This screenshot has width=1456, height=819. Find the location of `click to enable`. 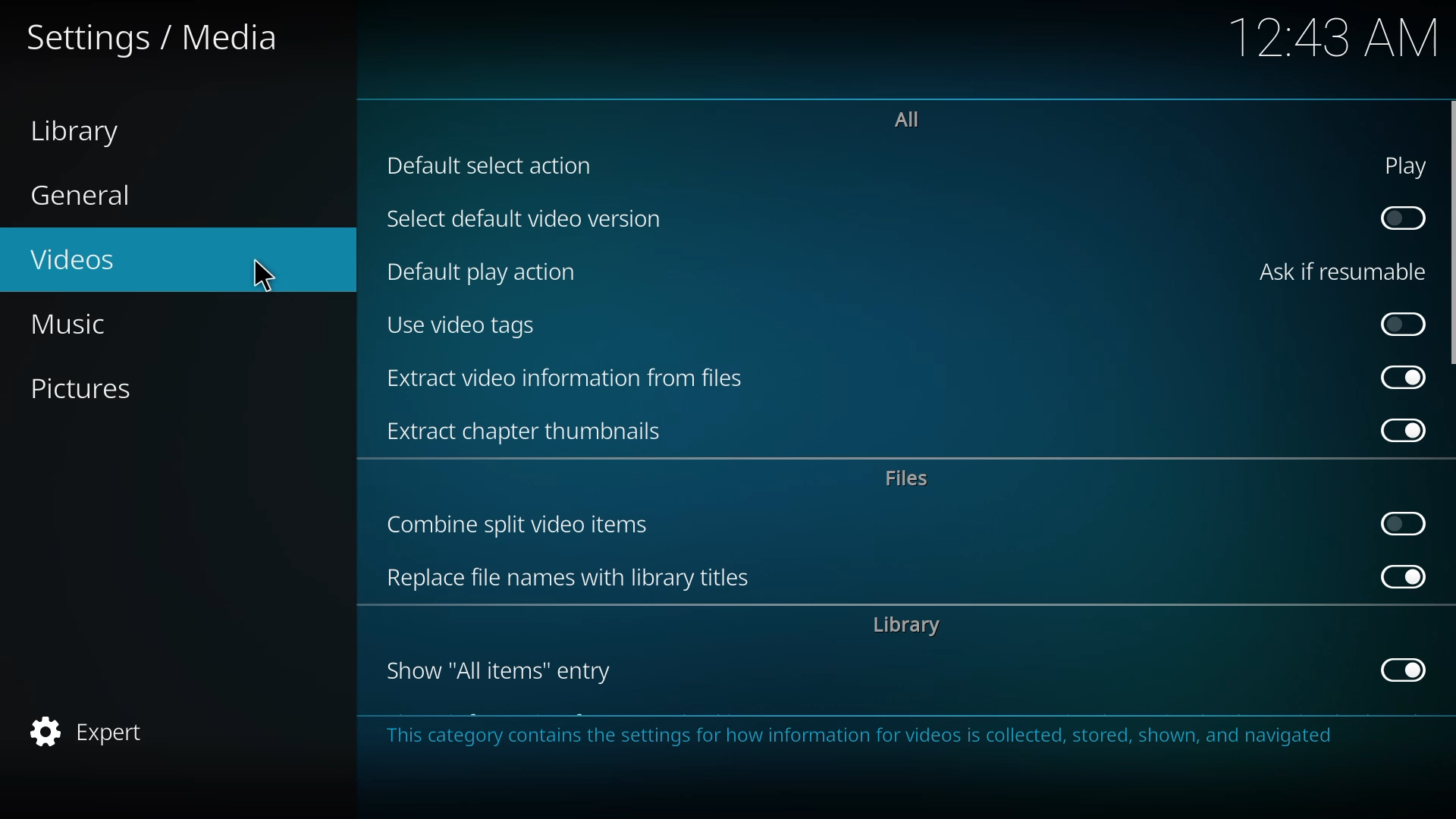

click to enable is located at coordinates (1402, 322).